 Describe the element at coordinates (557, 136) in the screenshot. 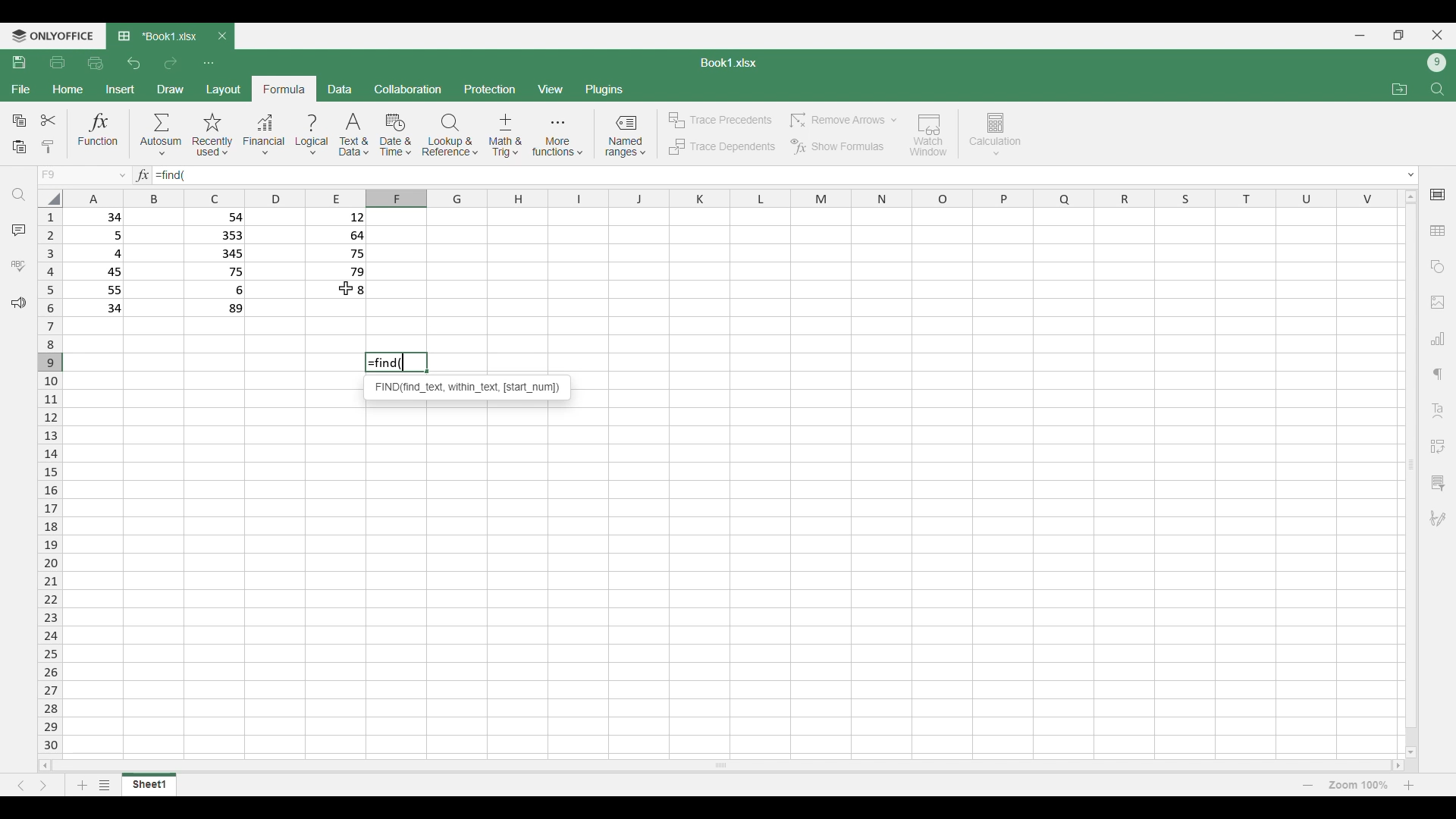

I see `More functions` at that location.